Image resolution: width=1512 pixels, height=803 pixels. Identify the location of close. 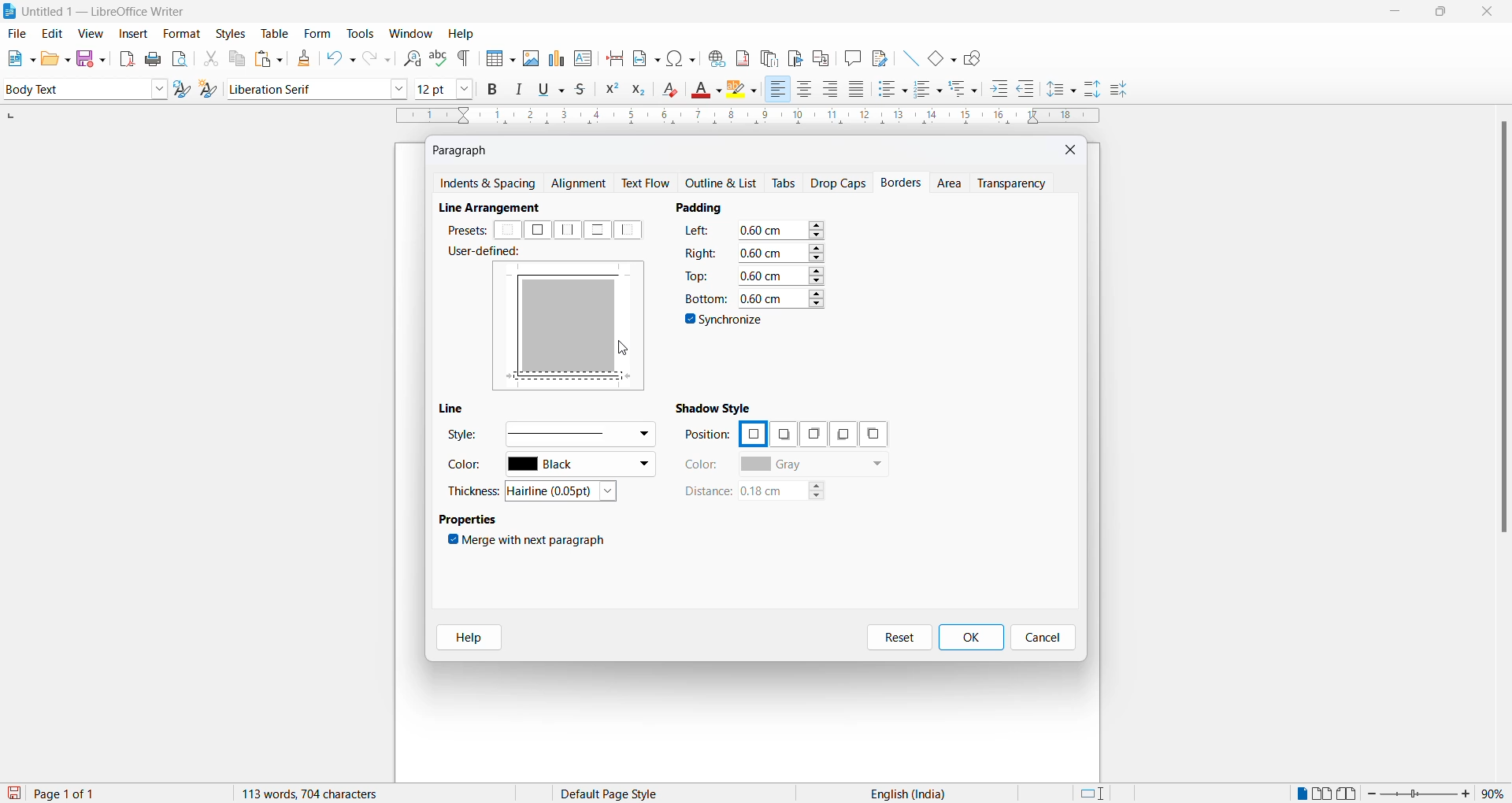
(1072, 149).